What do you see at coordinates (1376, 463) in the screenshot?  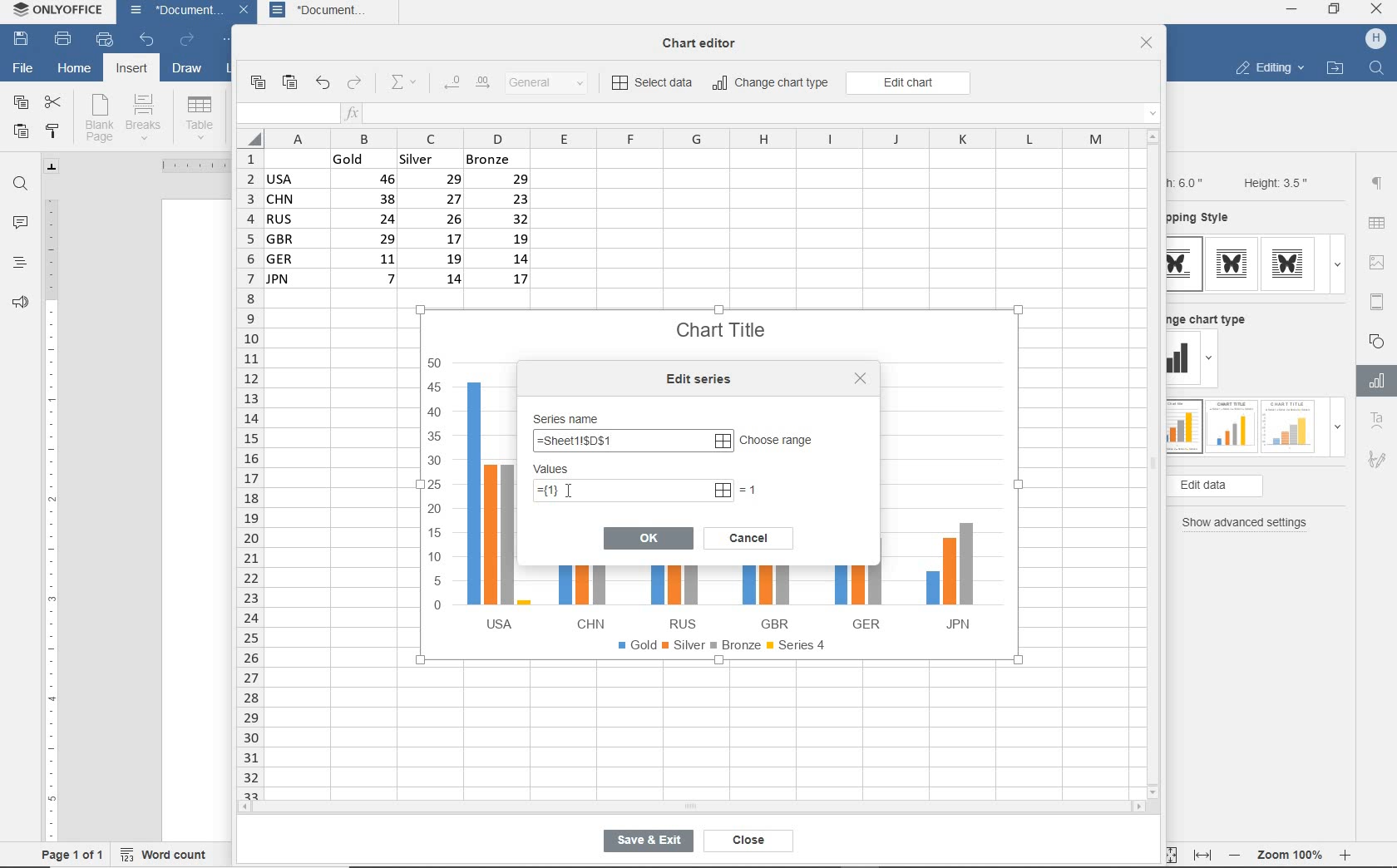 I see `Signature settings` at bounding box center [1376, 463].